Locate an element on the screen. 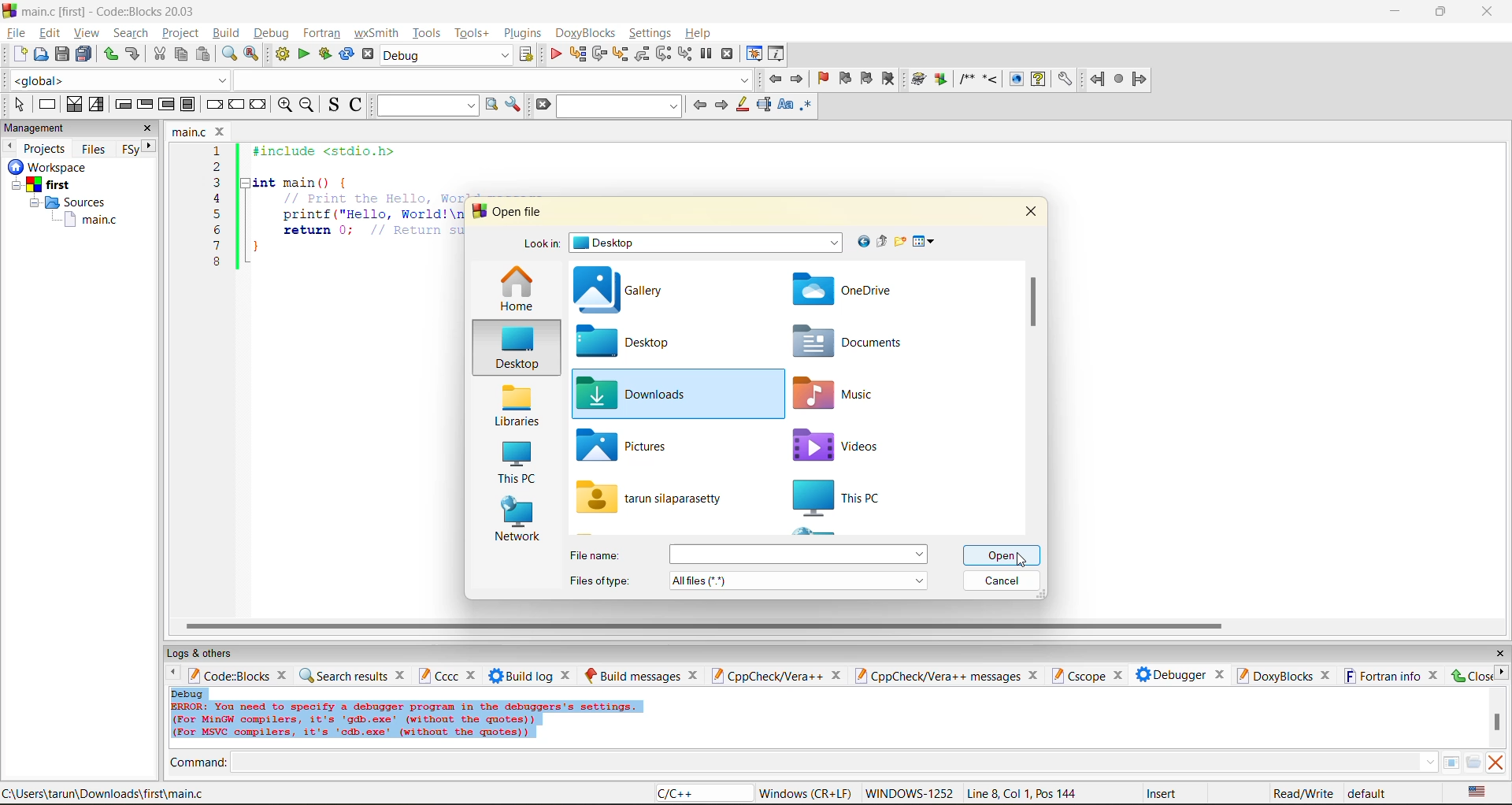 This screenshot has width=1512, height=805. vertical scroll bar is located at coordinates (1496, 722).